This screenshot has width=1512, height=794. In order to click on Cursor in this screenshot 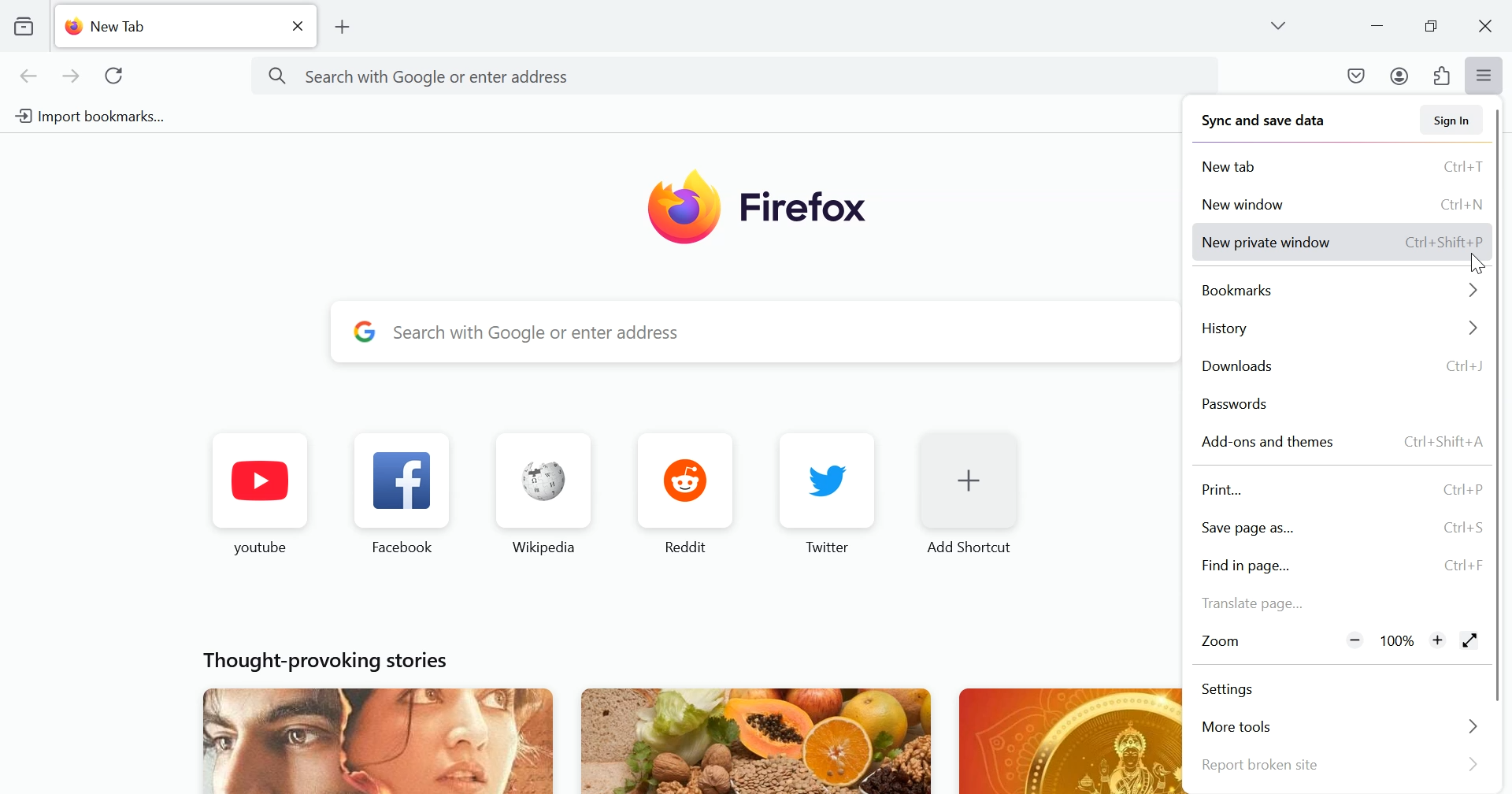, I will do `click(1477, 263)`.